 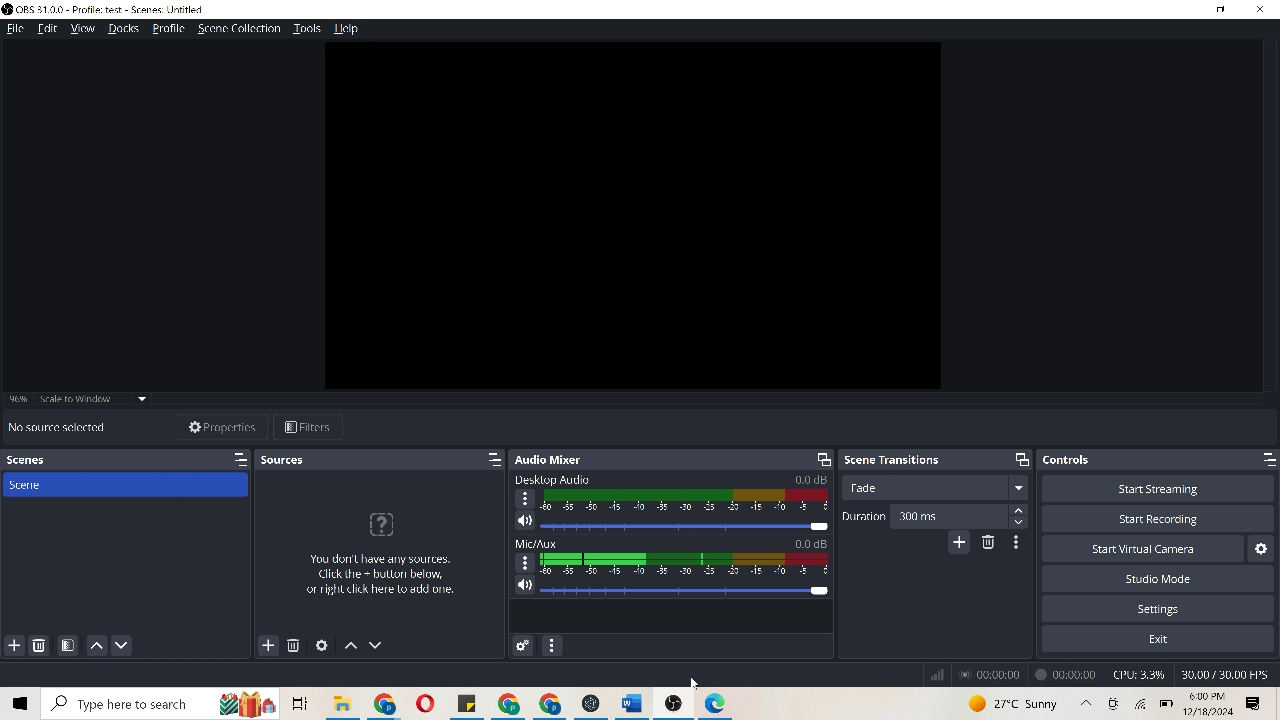 I want to click on duration, so click(x=863, y=517).